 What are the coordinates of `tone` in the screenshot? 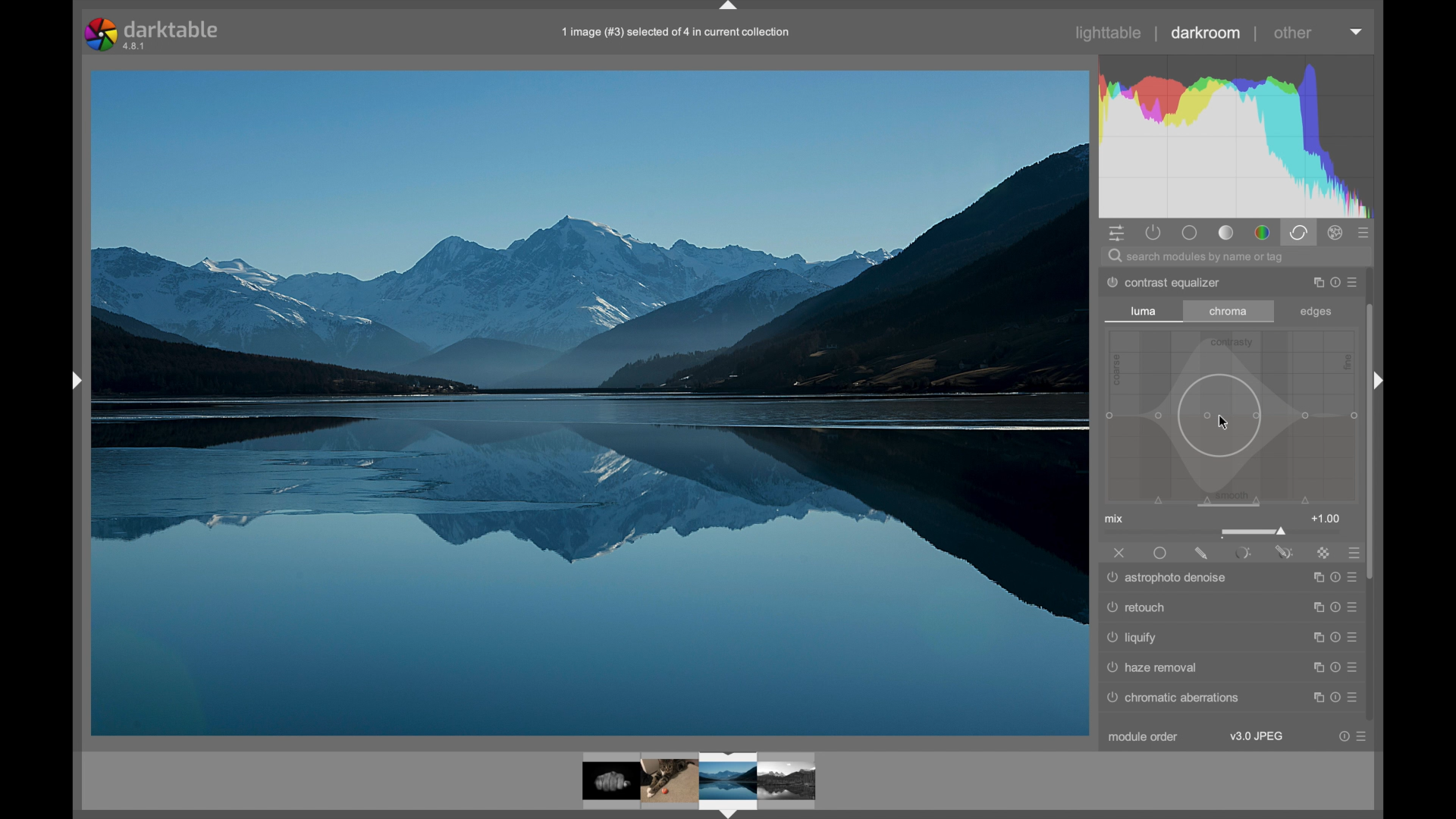 It's located at (1227, 234).